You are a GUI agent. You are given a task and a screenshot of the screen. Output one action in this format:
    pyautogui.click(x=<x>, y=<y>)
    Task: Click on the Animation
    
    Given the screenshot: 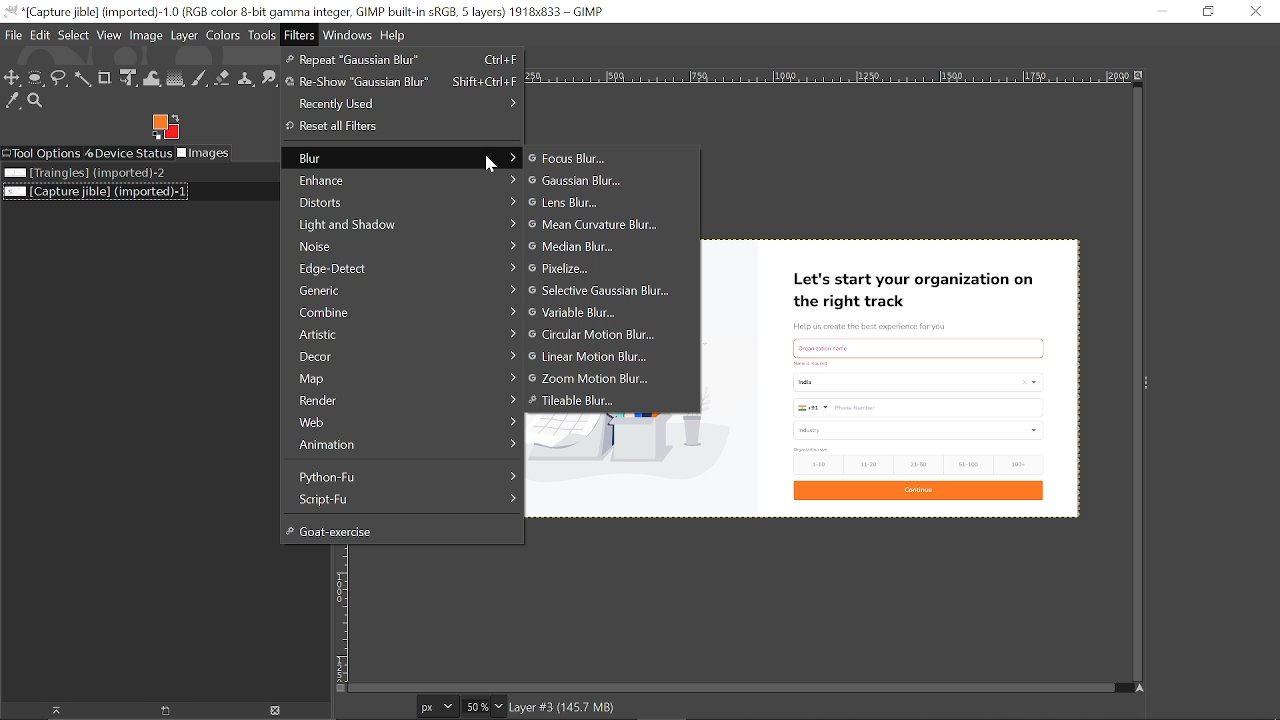 What is the action you would take?
    pyautogui.click(x=400, y=443)
    